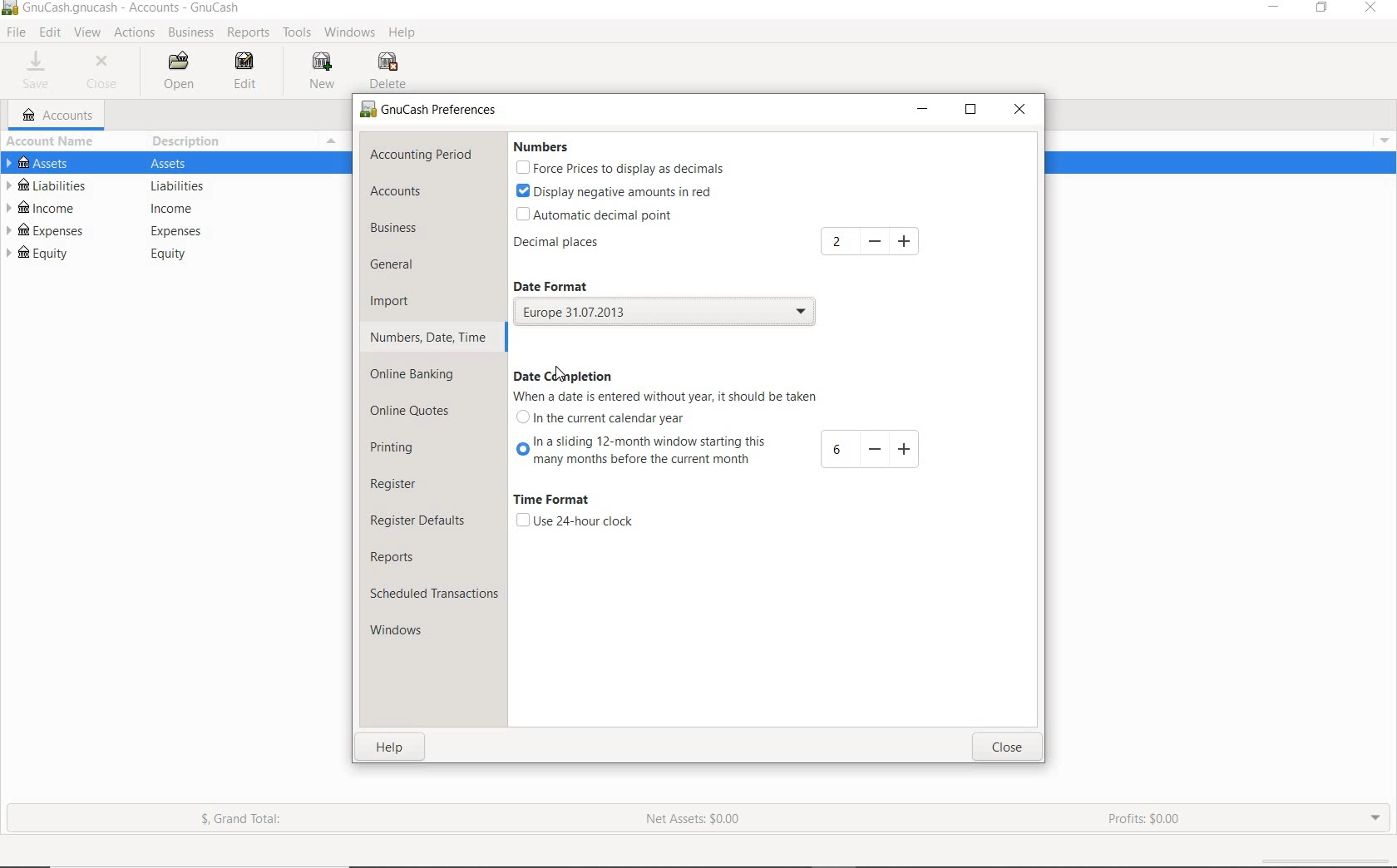 This screenshot has height=868, width=1397. What do you see at coordinates (172, 256) in the screenshot?
I see `EQUITY` at bounding box center [172, 256].